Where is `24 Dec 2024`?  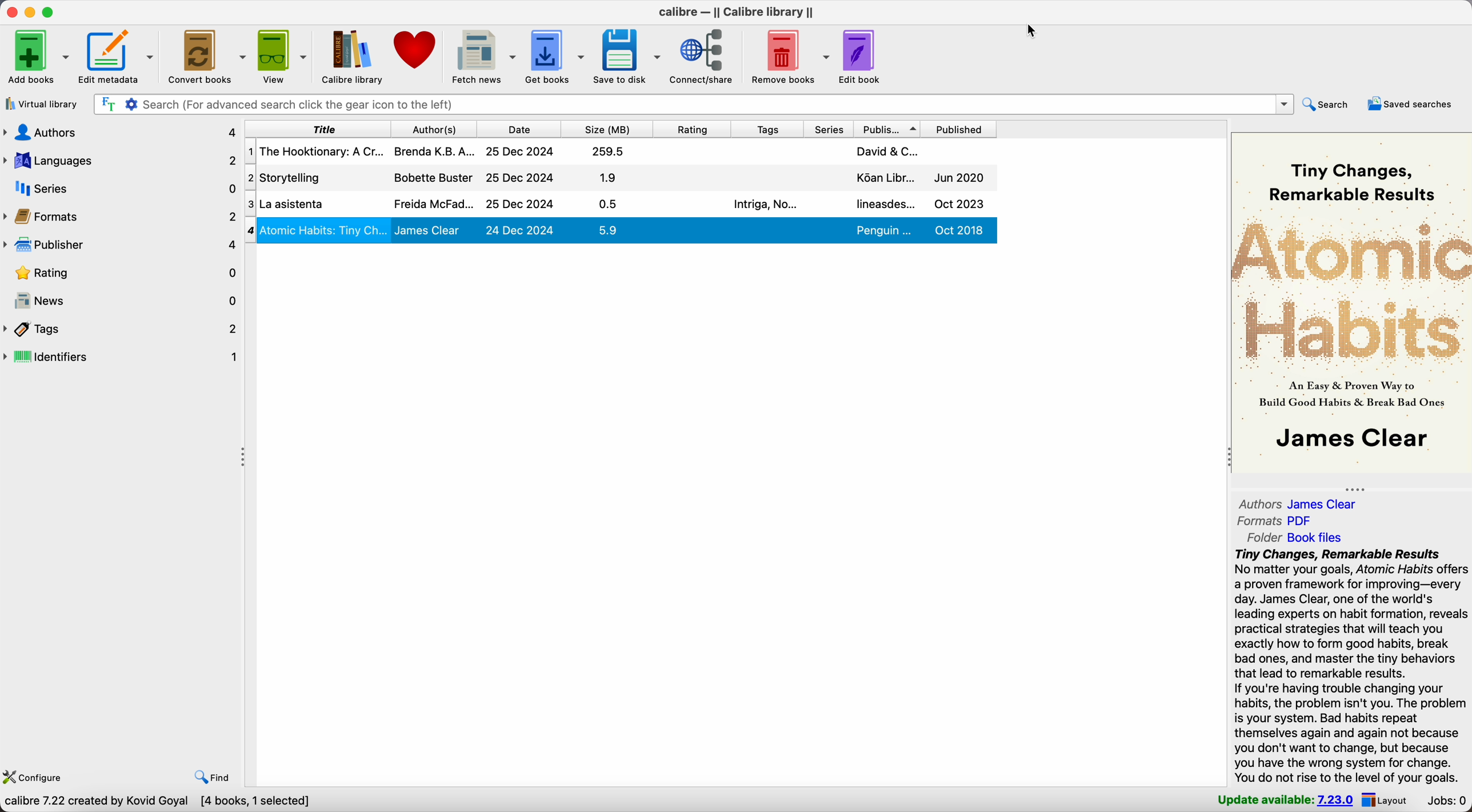
24 Dec 2024 is located at coordinates (520, 229).